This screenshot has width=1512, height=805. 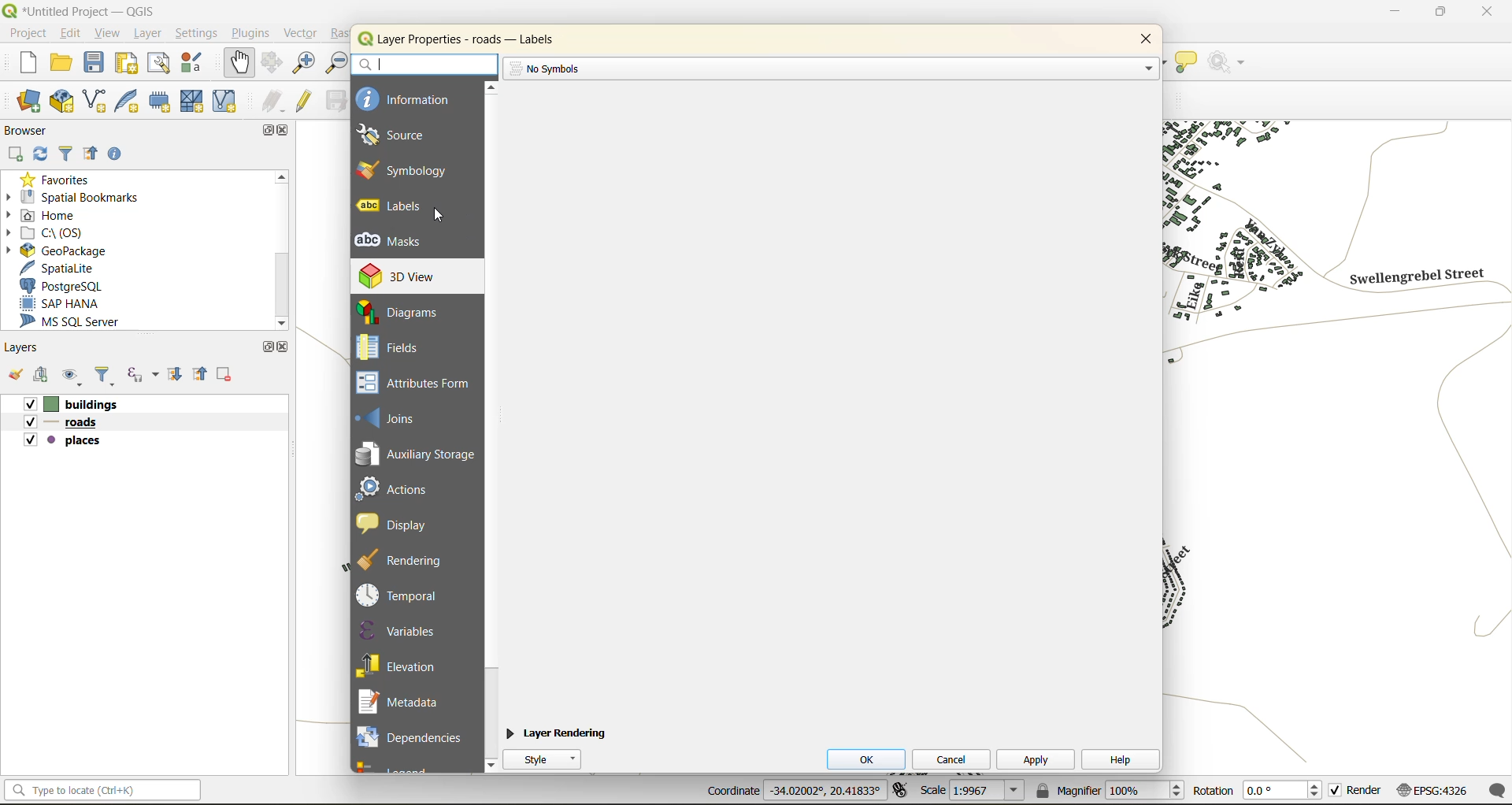 I want to click on cursor, so click(x=442, y=220).